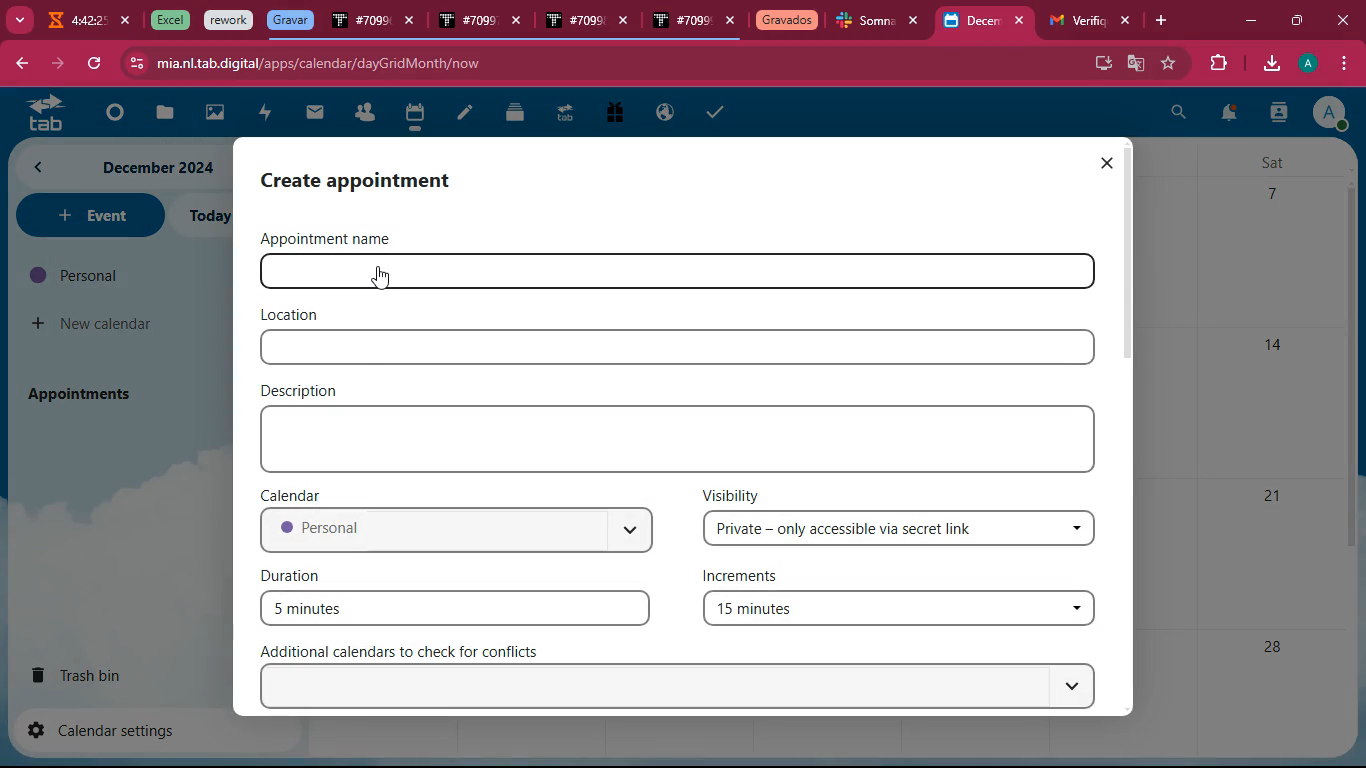 The image size is (1366, 768). What do you see at coordinates (229, 21) in the screenshot?
I see `tab` at bounding box center [229, 21].